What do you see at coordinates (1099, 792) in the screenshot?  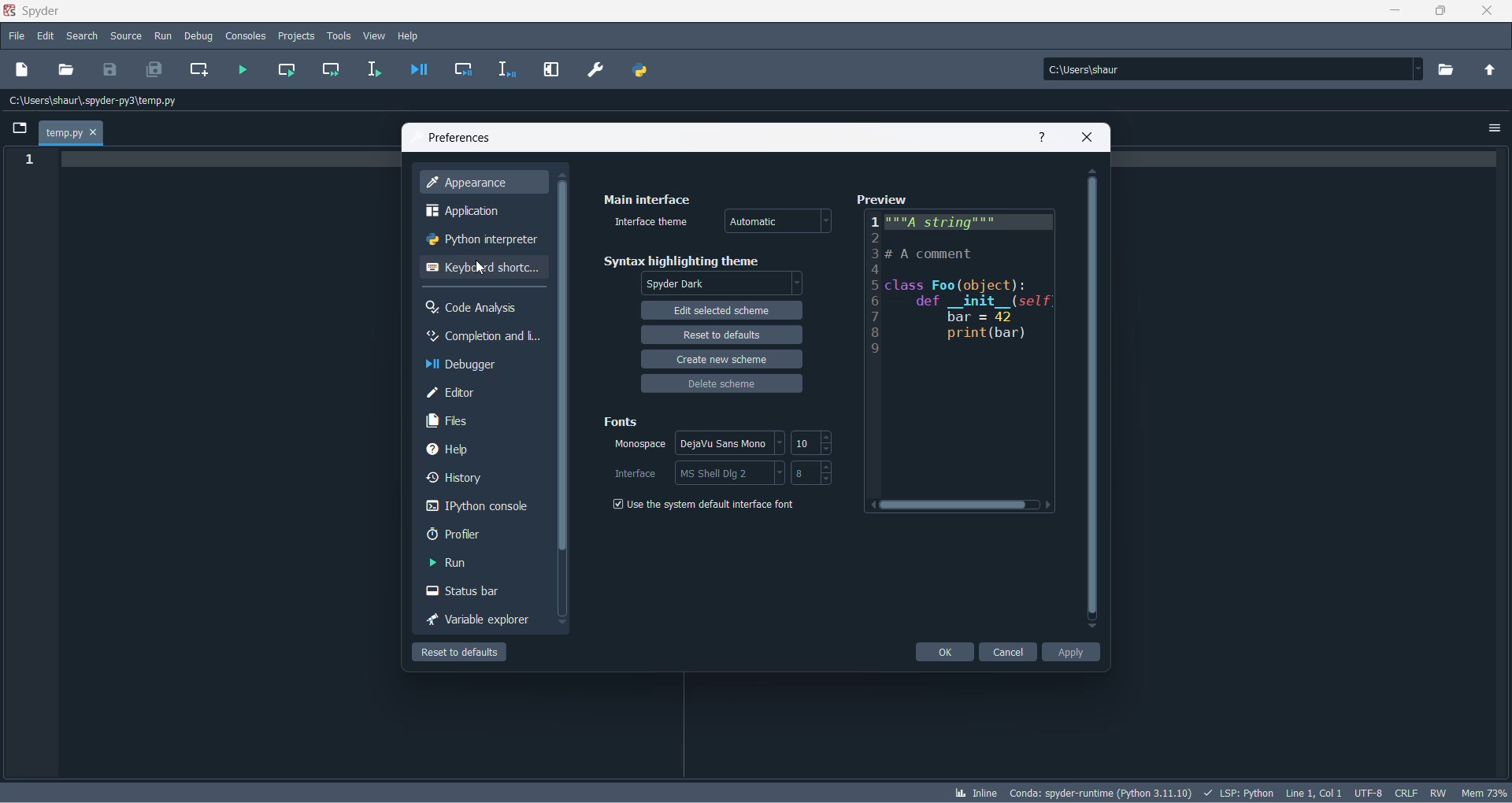 I see `spyder version` at bounding box center [1099, 792].